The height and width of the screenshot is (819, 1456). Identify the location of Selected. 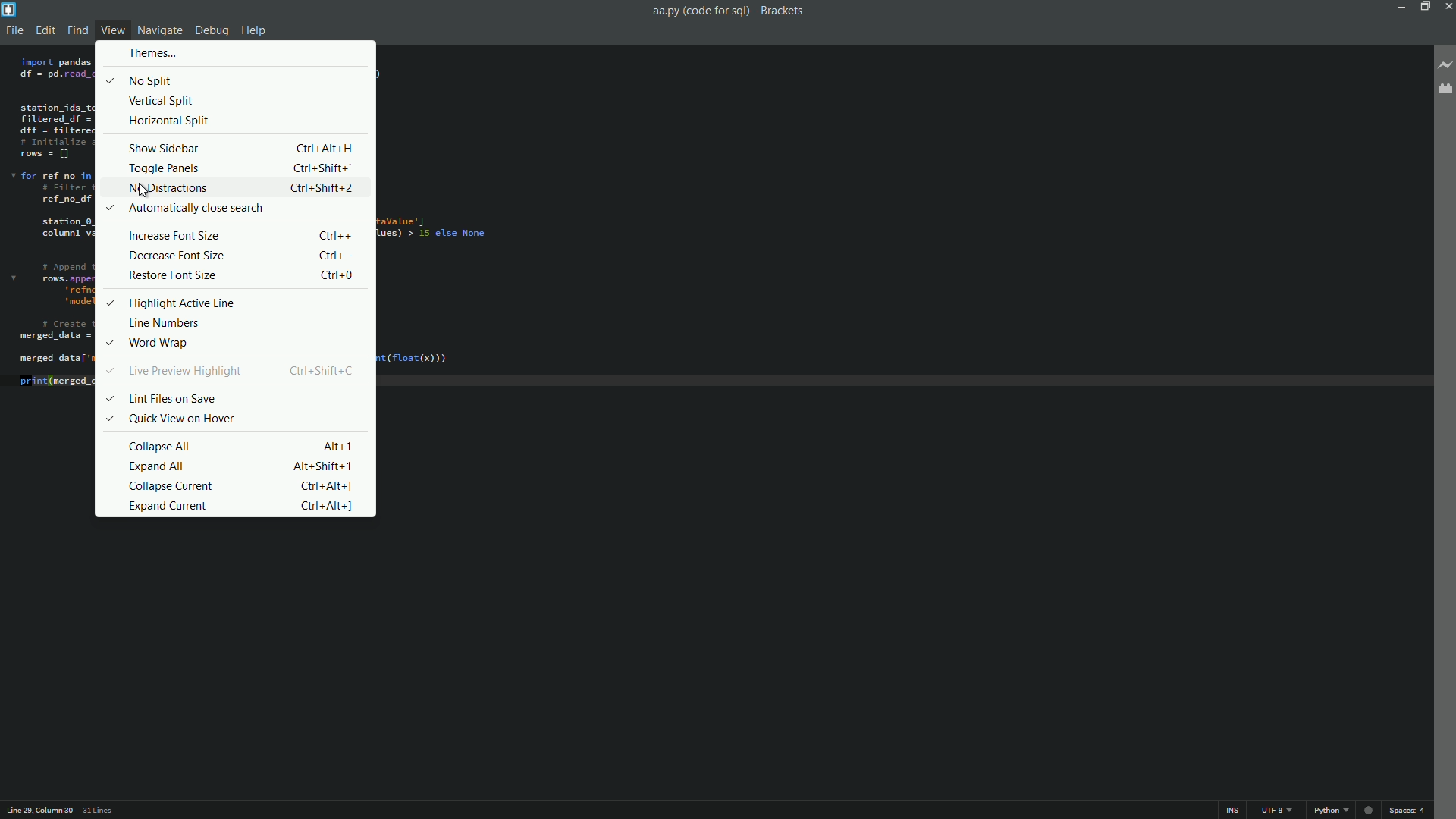
(110, 302).